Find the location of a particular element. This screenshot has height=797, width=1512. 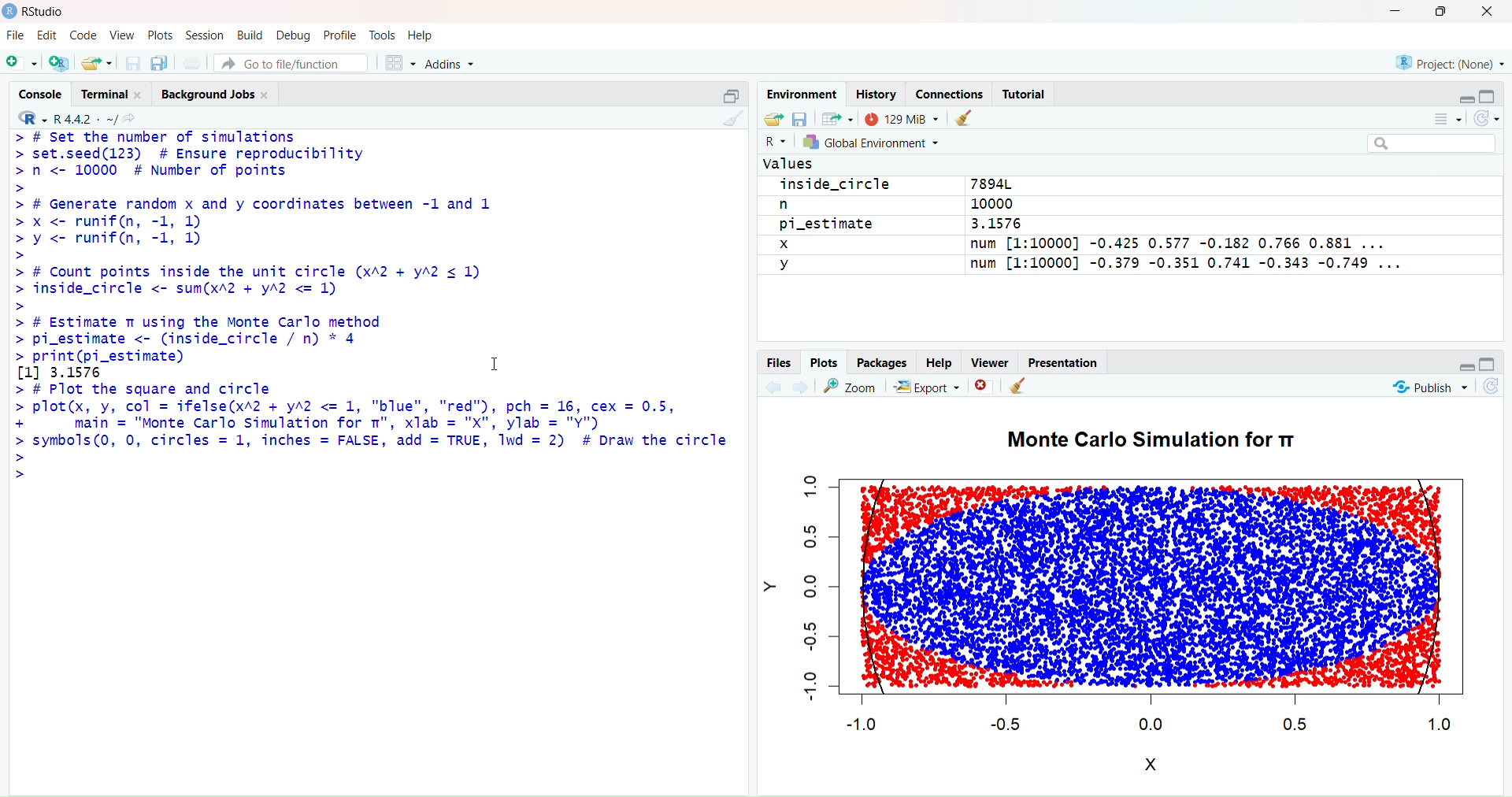

Connections is located at coordinates (951, 92).